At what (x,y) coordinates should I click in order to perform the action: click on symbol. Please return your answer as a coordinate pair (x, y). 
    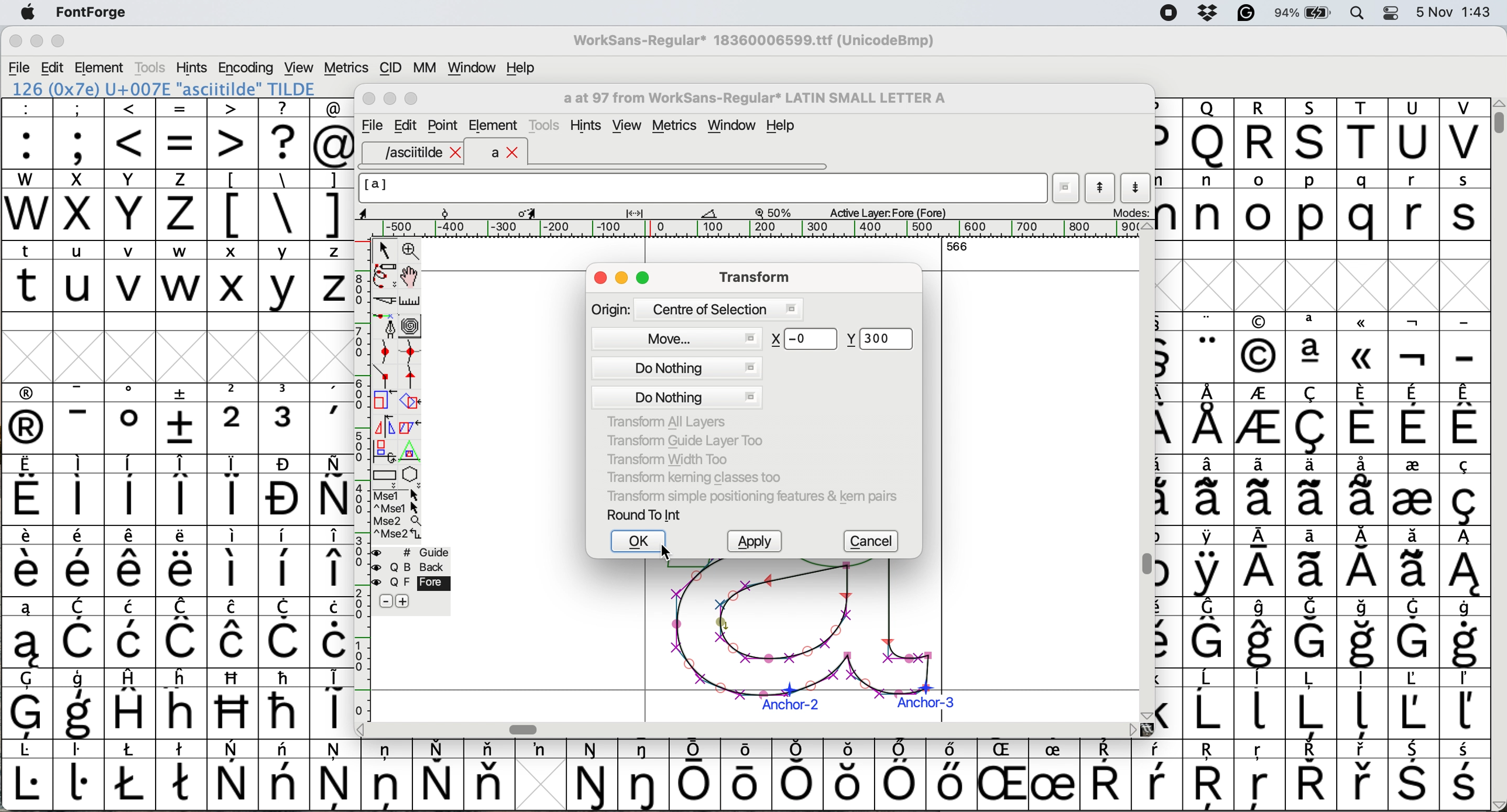
    Looking at the image, I should click on (332, 562).